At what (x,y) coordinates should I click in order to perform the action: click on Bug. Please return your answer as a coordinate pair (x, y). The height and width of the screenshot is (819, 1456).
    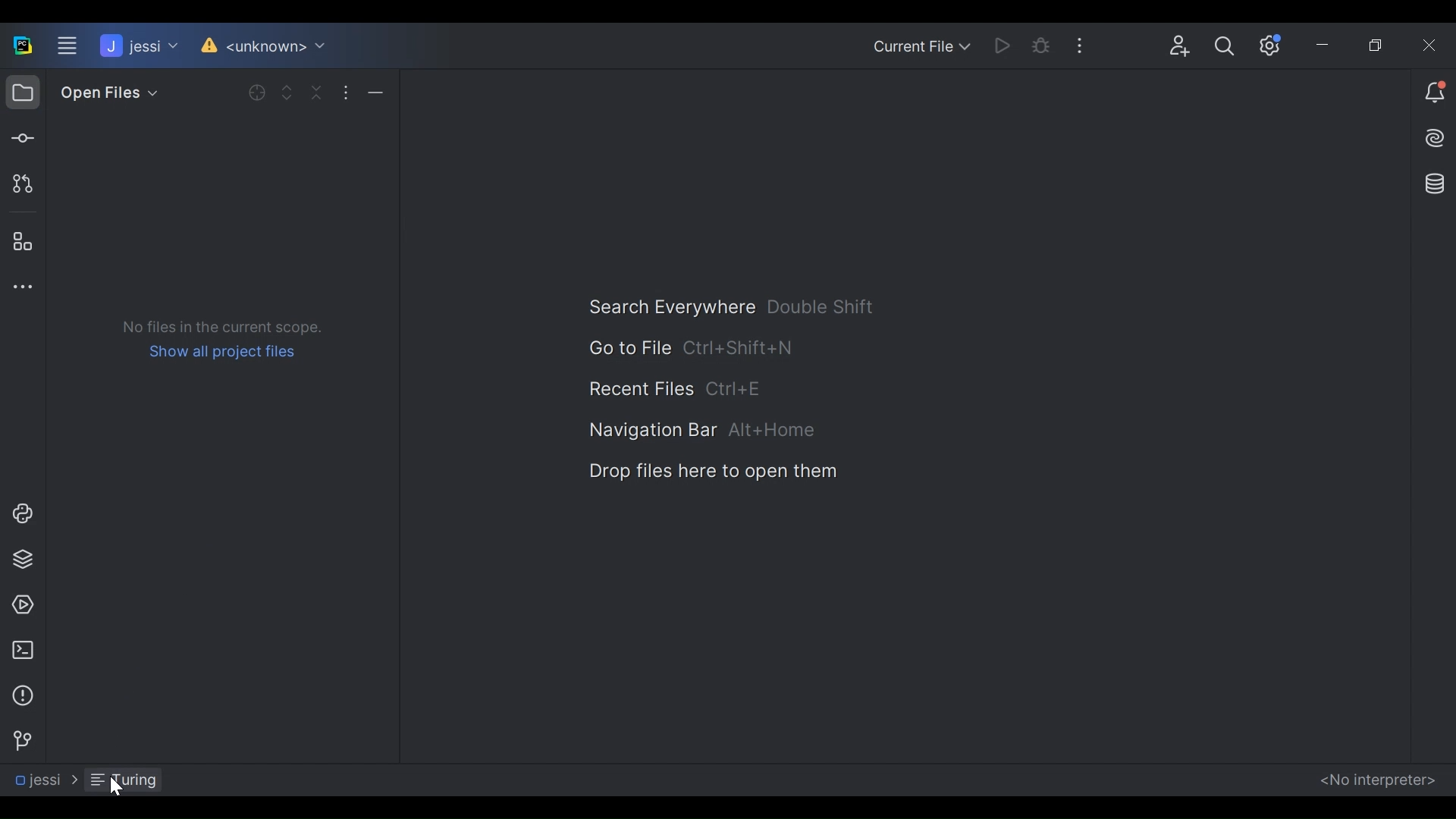
    Looking at the image, I should click on (1042, 44).